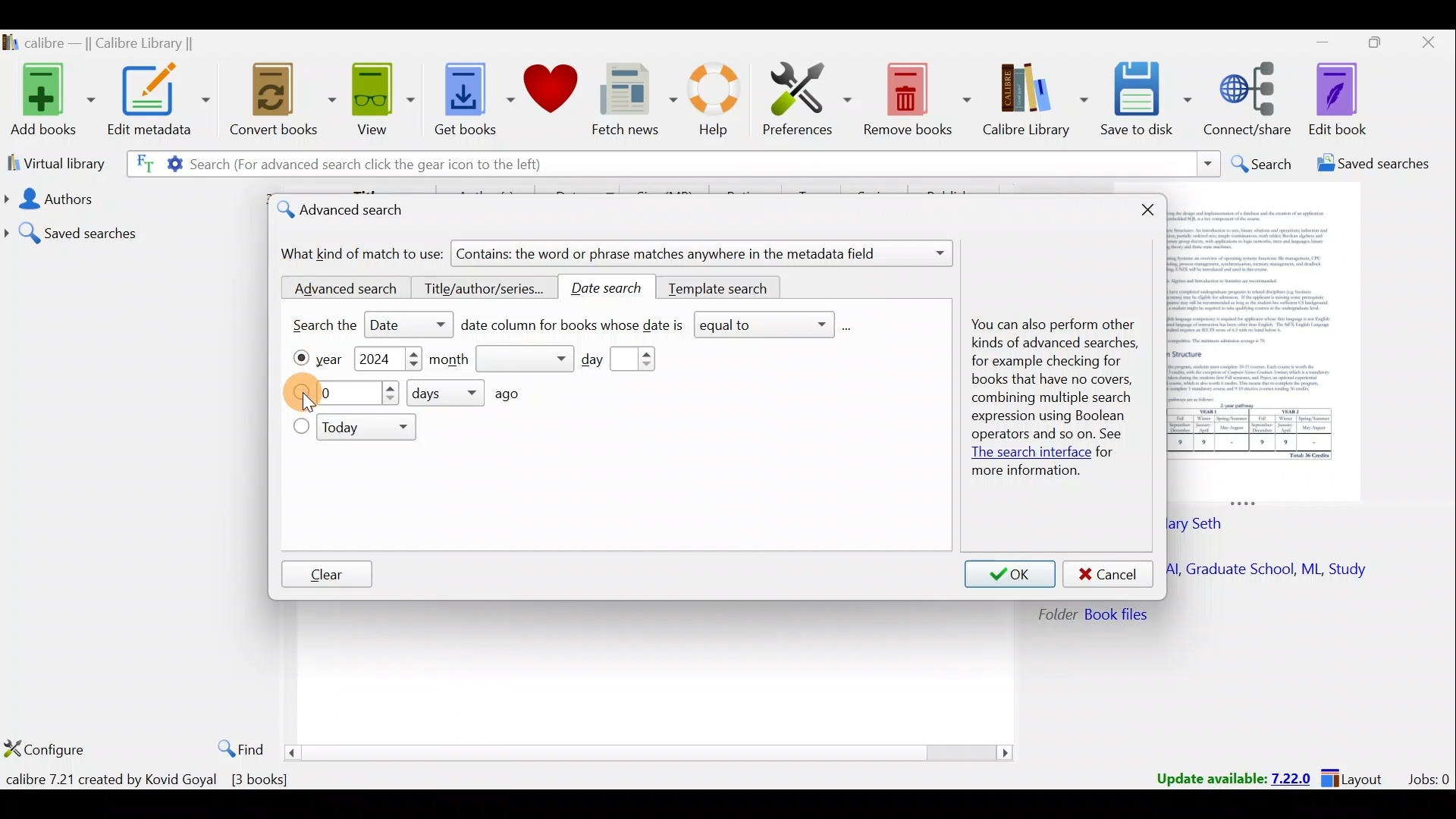 Image resolution: width=1456 pixels, height=819 pixels. I want to click on Saved searches, so click(133, 227).